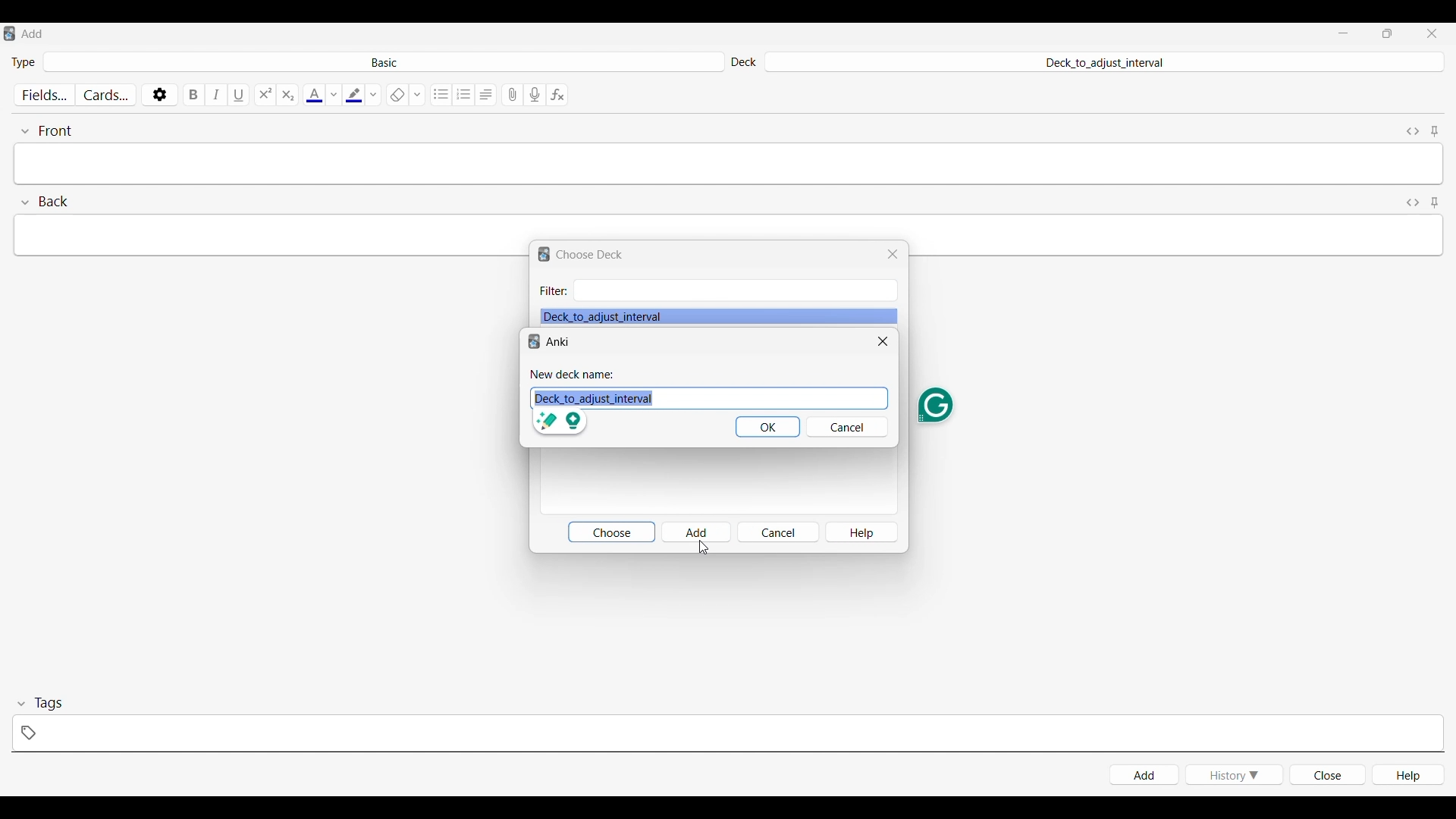  Describe the element at coordinates (554, 291) in the screenshot. I see `Indicates Filter input` at that location.